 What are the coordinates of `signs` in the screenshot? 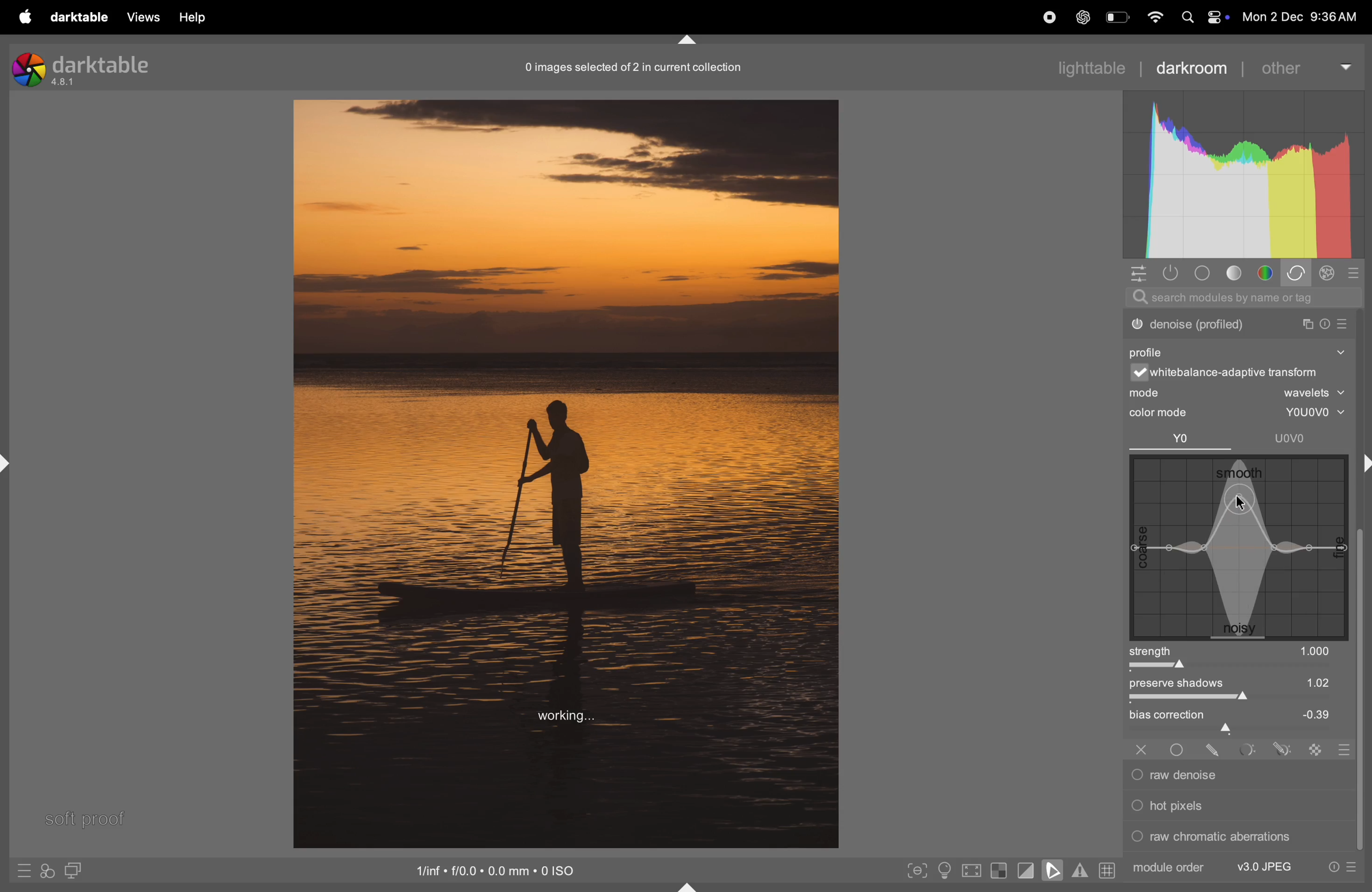 It's located at (1341, 751).